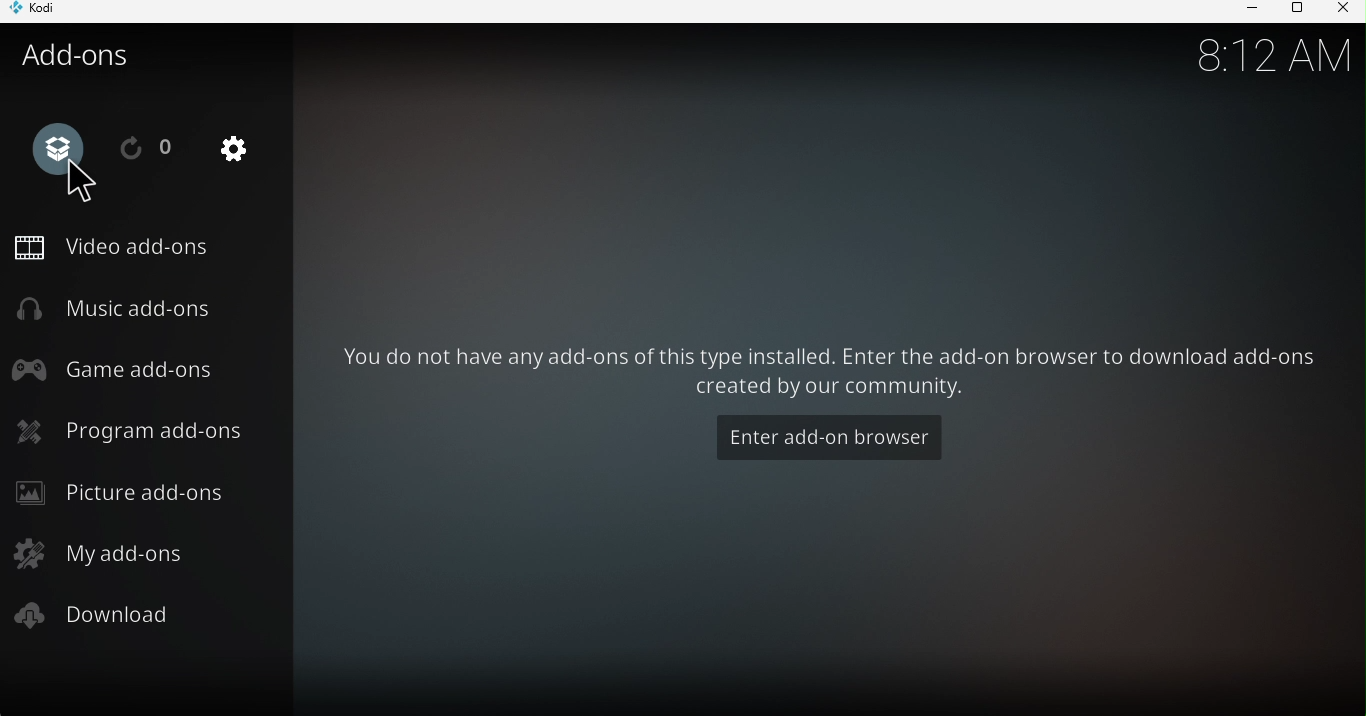 This screenshot has height=716, width=1366. What do you see at coordinates (148, 148) in the screenshot?
I see `Refresh` at bounding box center [148, 148].